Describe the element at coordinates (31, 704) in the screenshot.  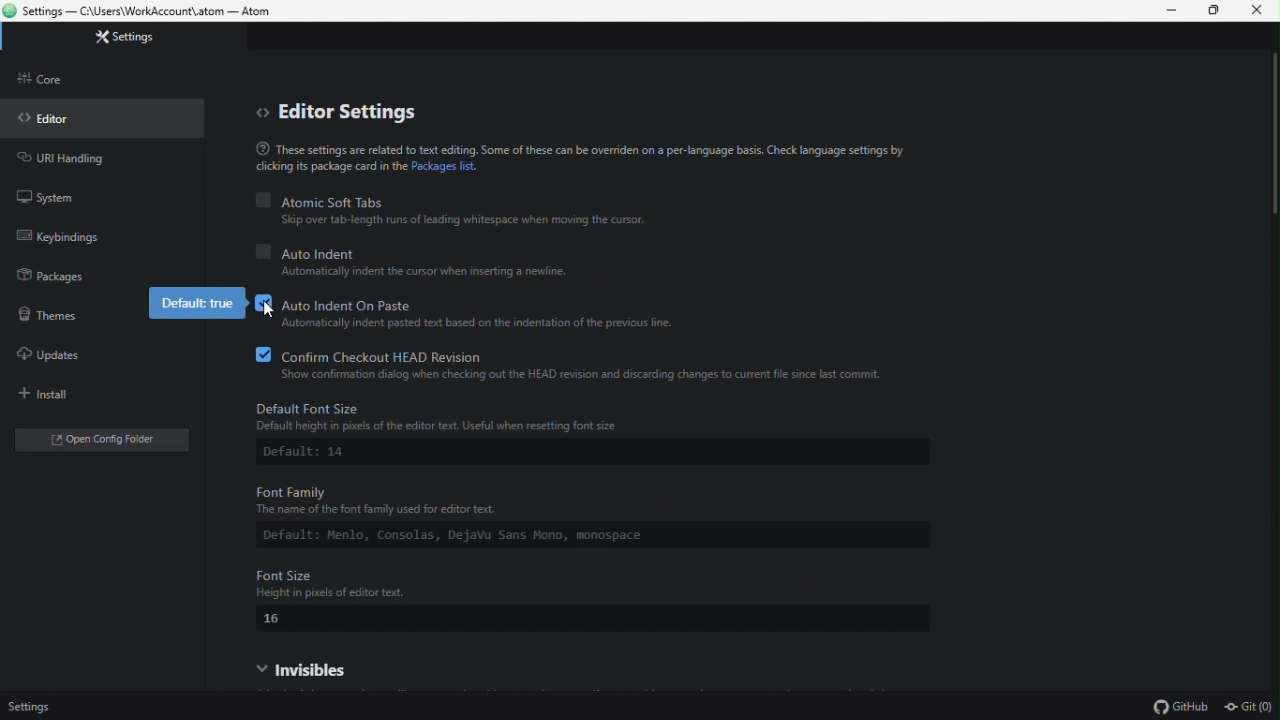
I see `Settings` at that location.